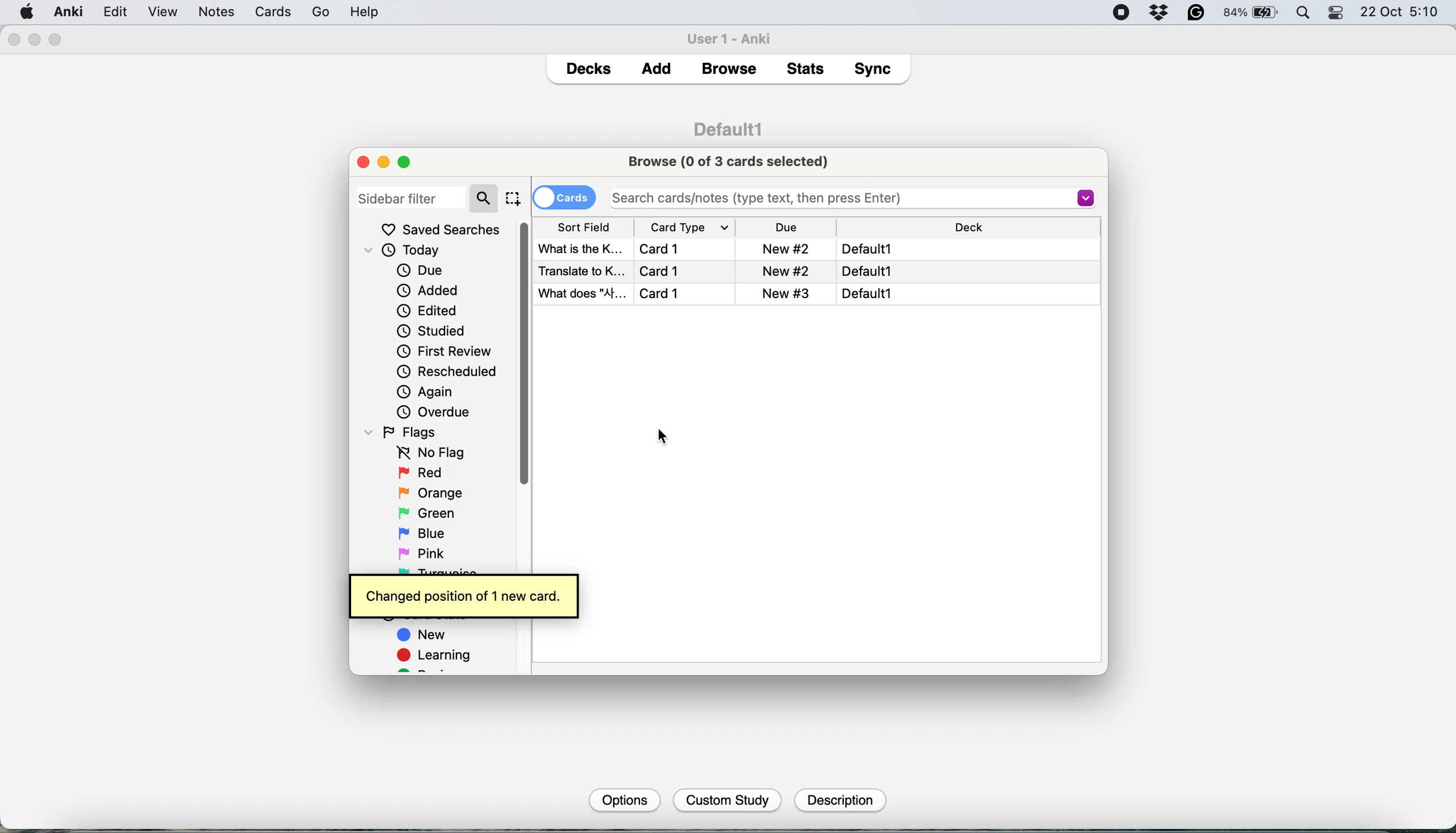 This screenshot has height=833, width=1456. I want to click on maximise, so click(56, 40).